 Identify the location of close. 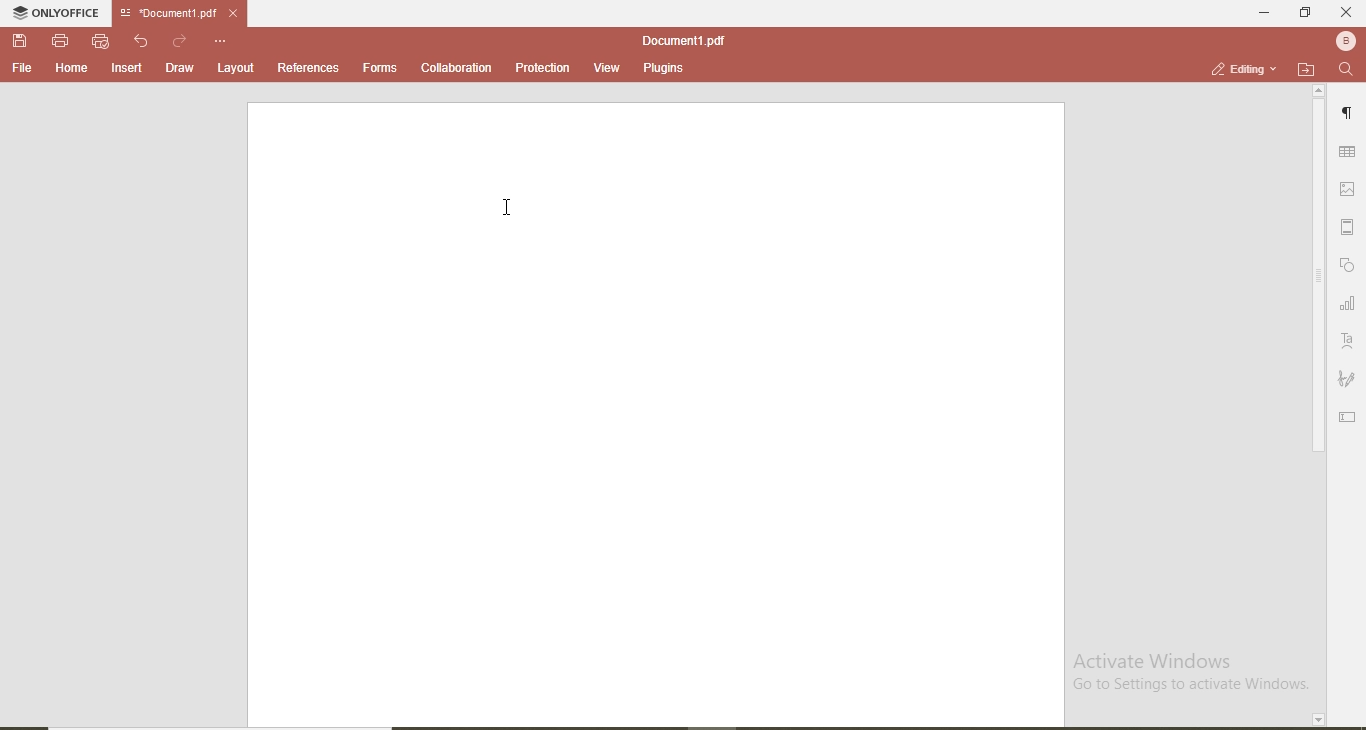
(237, 13).